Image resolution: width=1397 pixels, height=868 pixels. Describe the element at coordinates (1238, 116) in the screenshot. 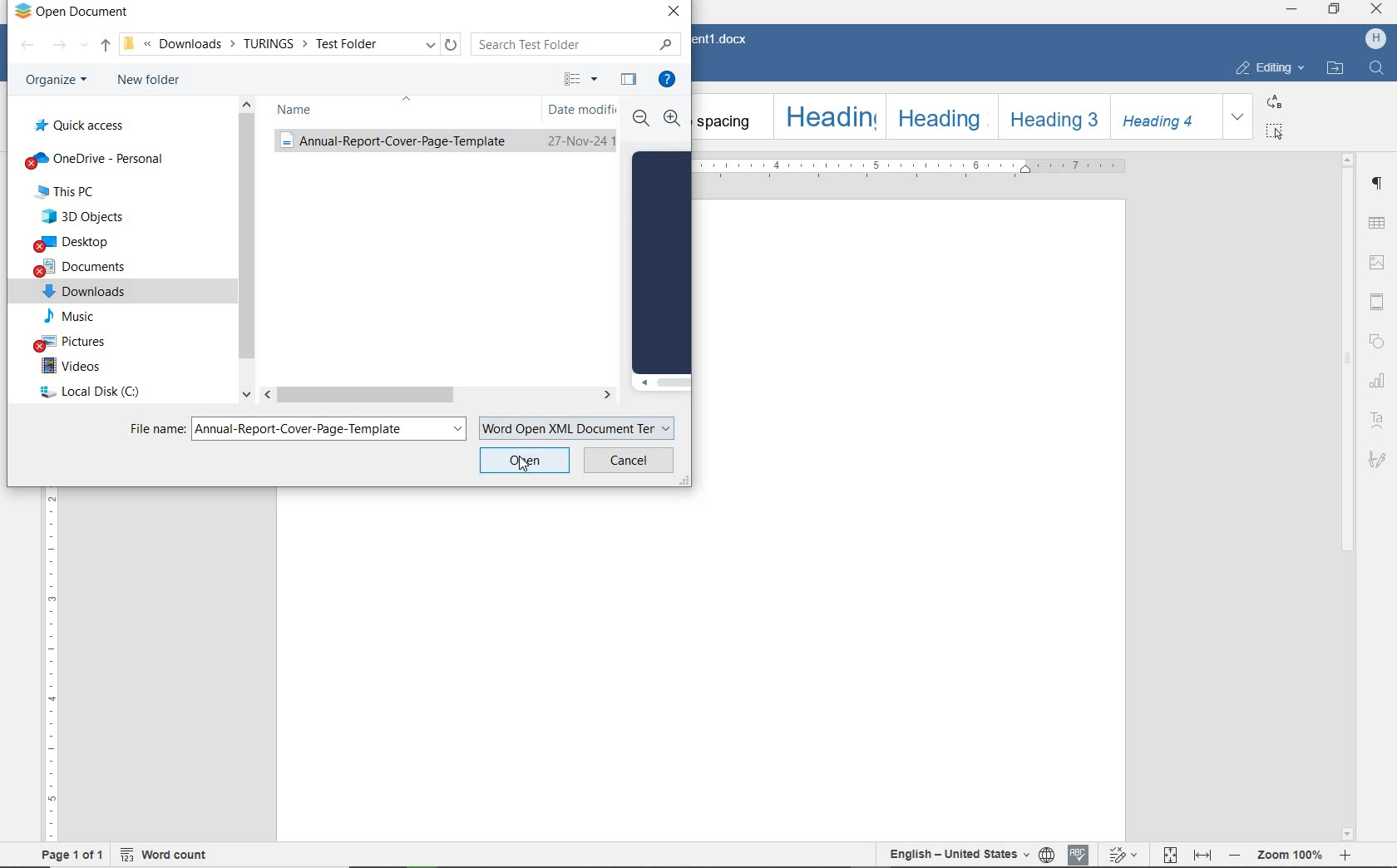

I see `expand` at that location.